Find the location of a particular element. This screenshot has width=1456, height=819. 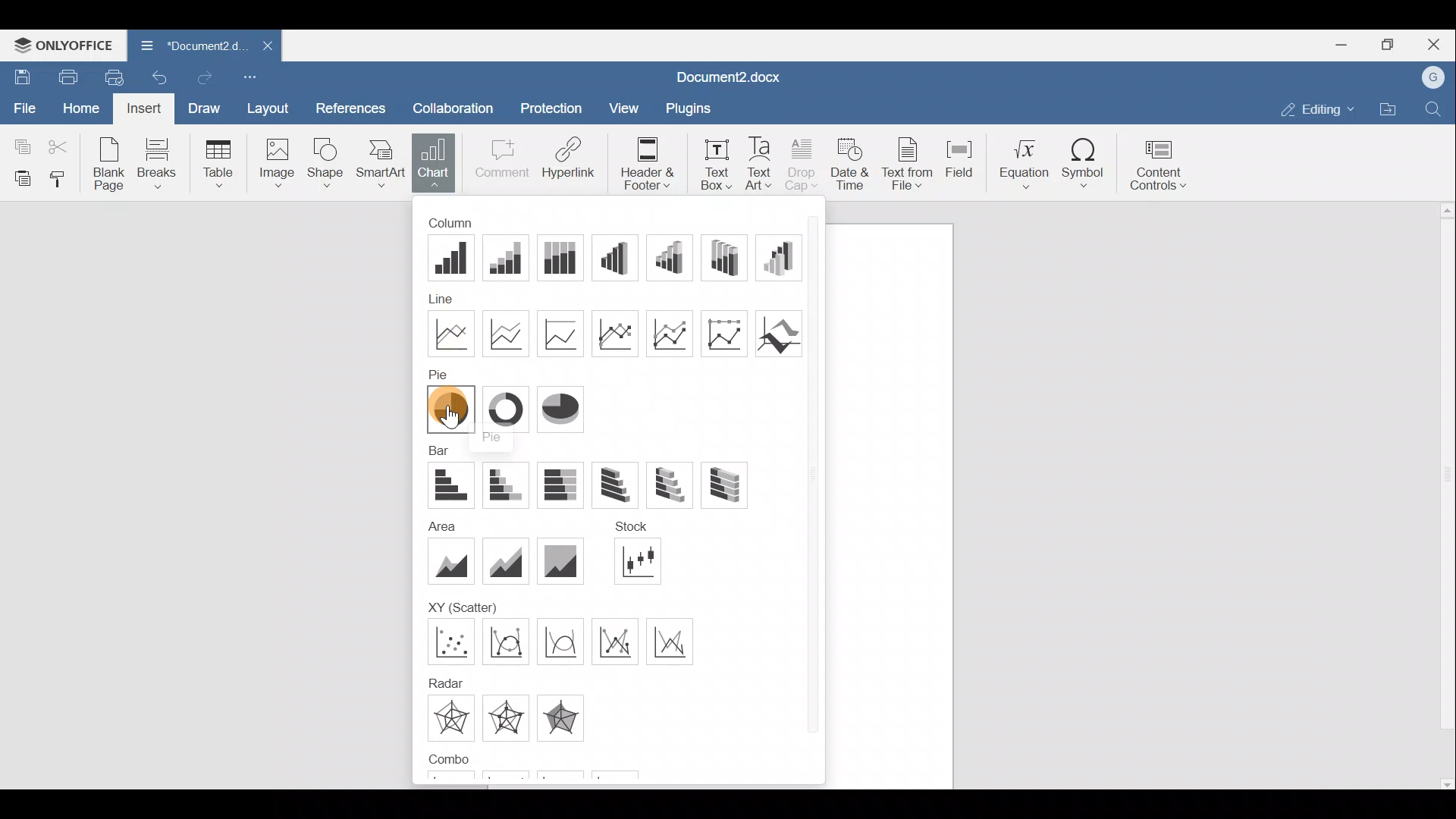

Scatter with straight lines & markers is located at coordinates (563, 641).